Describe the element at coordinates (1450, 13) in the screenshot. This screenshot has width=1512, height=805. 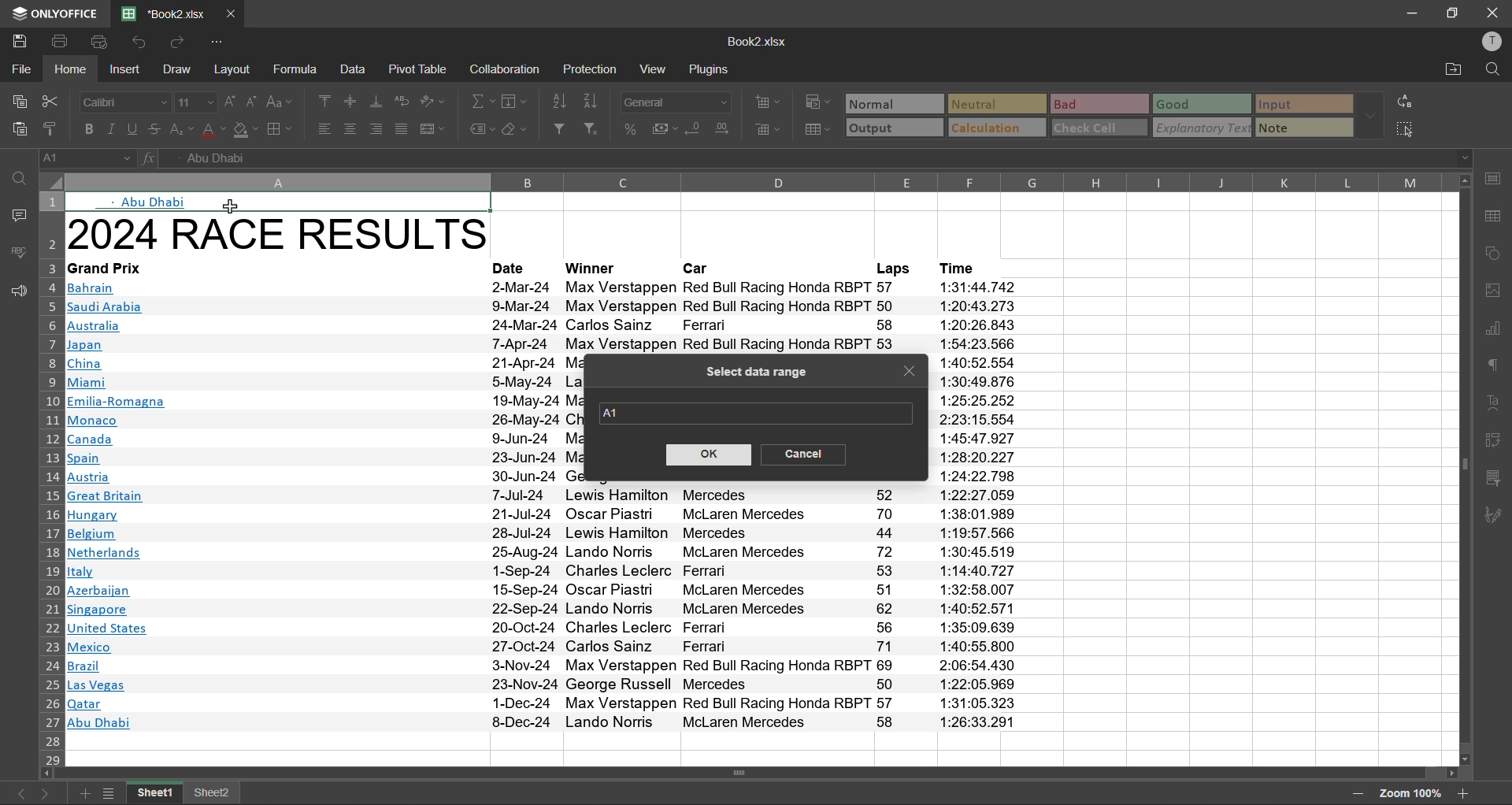
I see `maximize` at that location.